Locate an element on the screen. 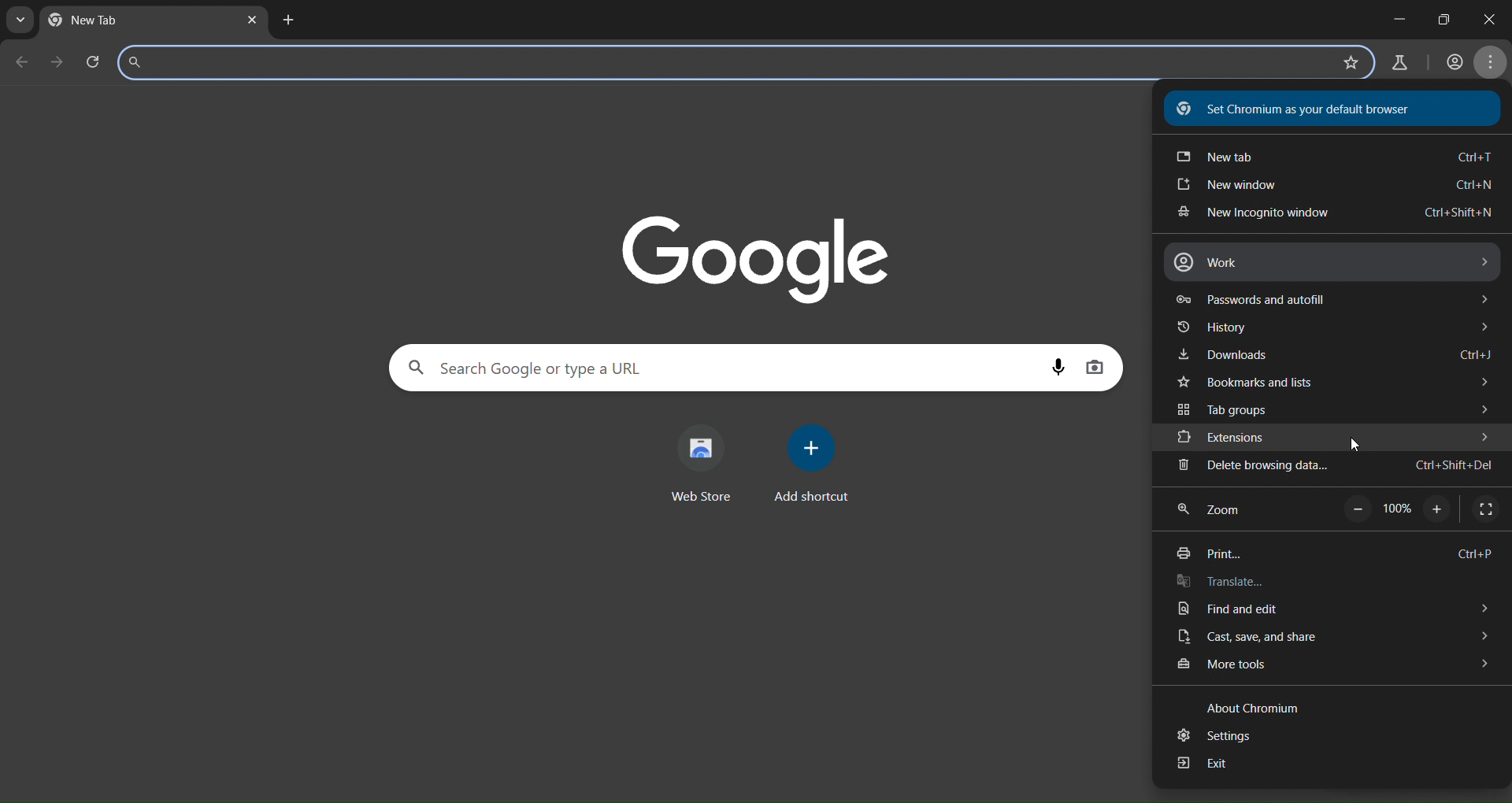  zoom out is located at coordinates (1362, 509).